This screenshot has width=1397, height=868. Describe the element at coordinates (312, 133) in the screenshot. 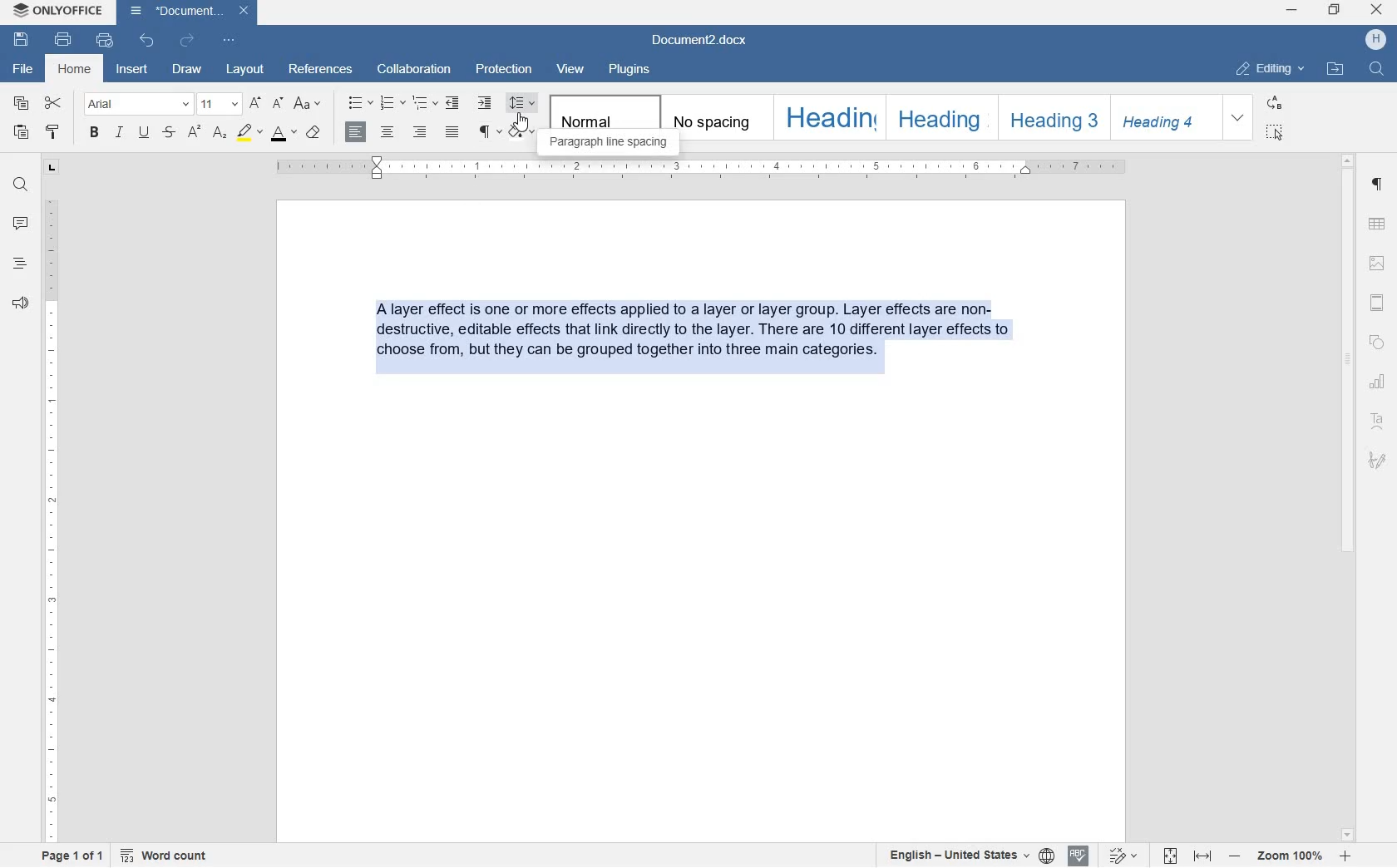

I see `clear style` at that location.